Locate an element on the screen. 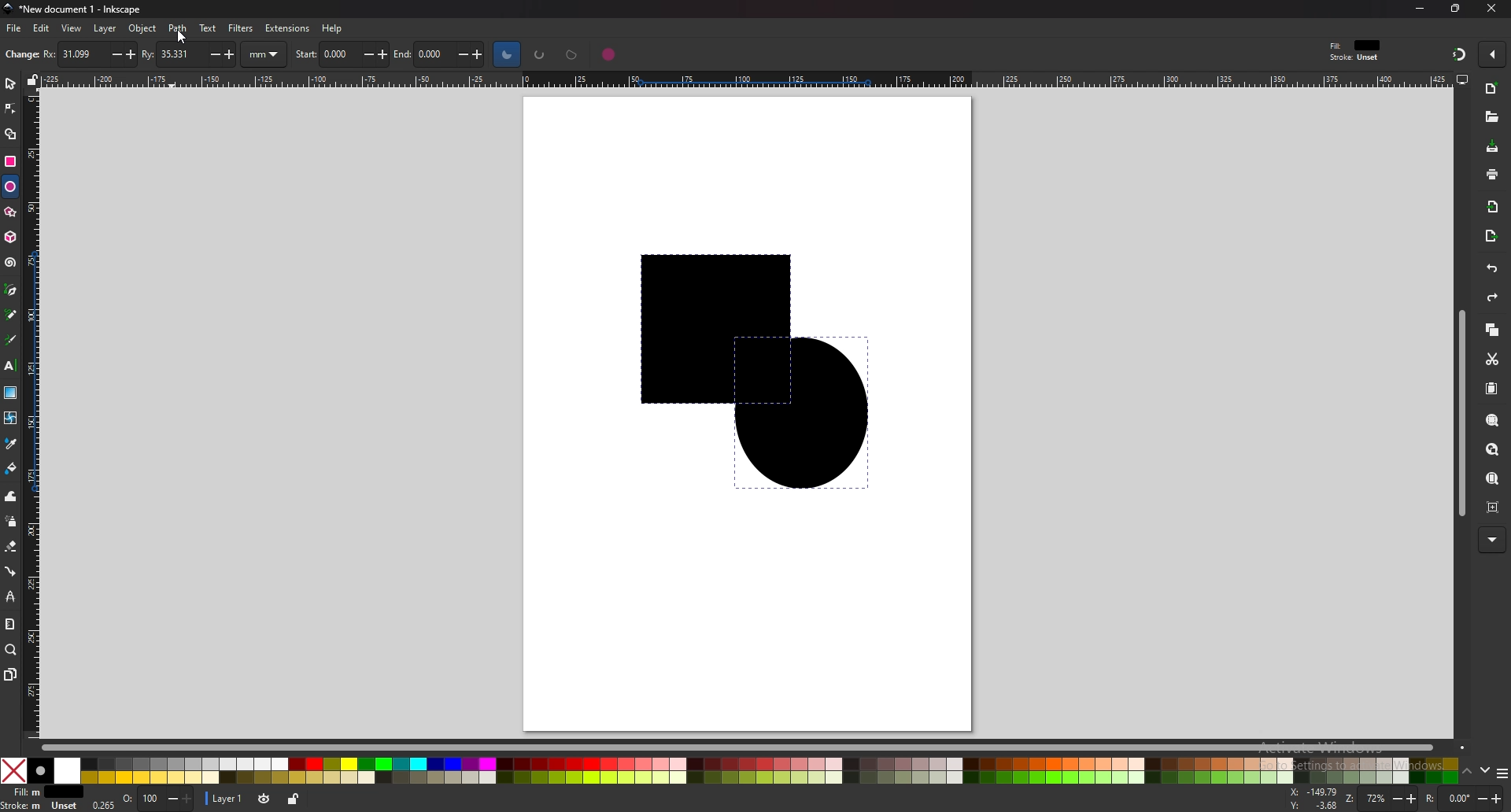  undo is located at coordinates (1491, 269).